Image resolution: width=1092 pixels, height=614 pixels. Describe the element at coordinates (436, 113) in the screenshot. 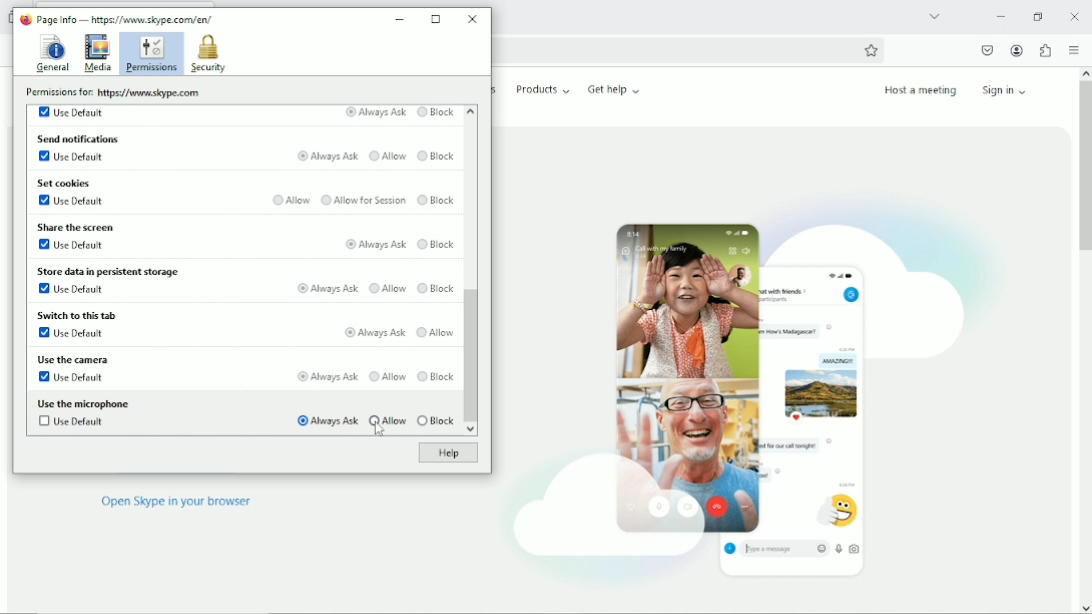

I see `Block` at that location.